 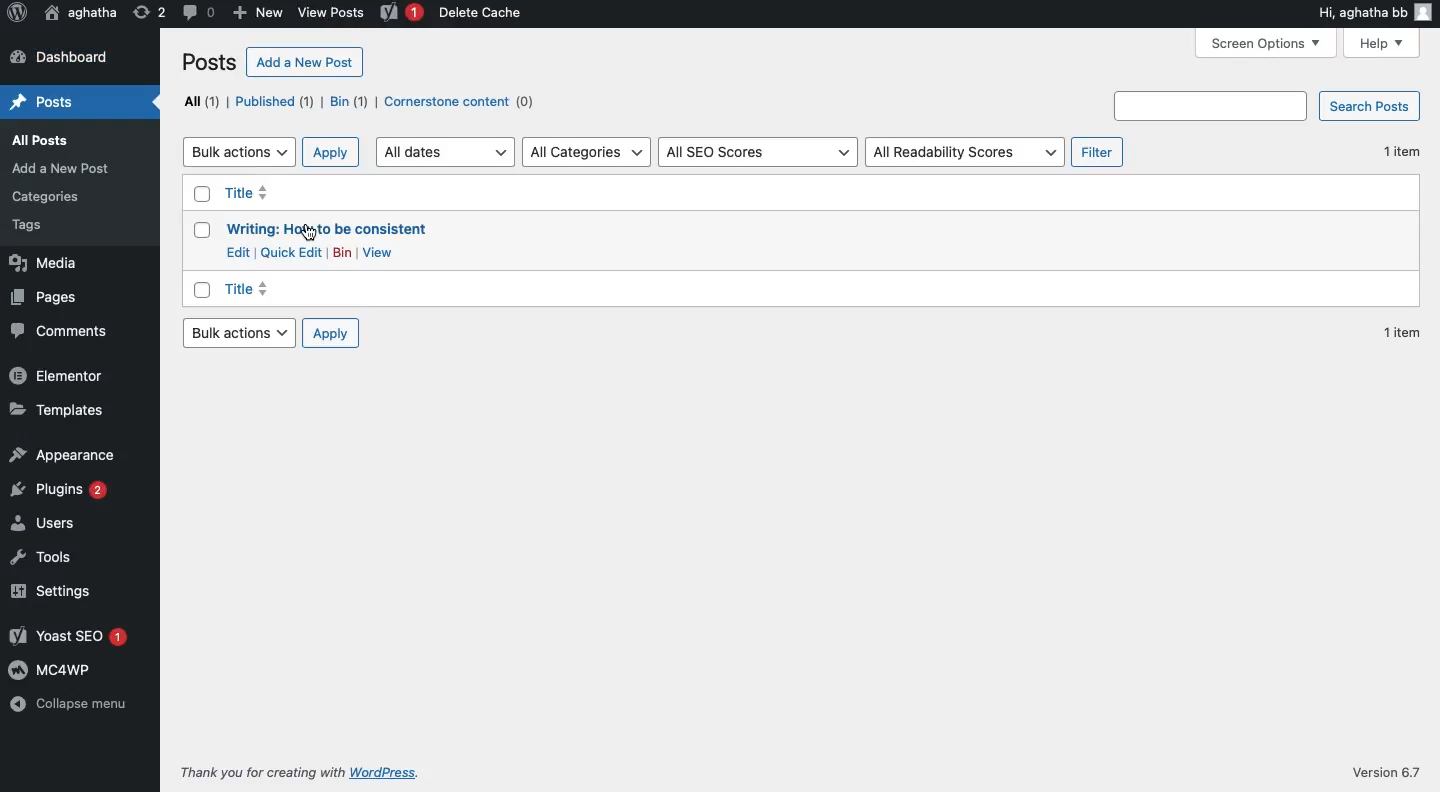 What do you see at coordinates (46, 297) in the screenshot?
I see `Pages` at bounding box center [46, 297].